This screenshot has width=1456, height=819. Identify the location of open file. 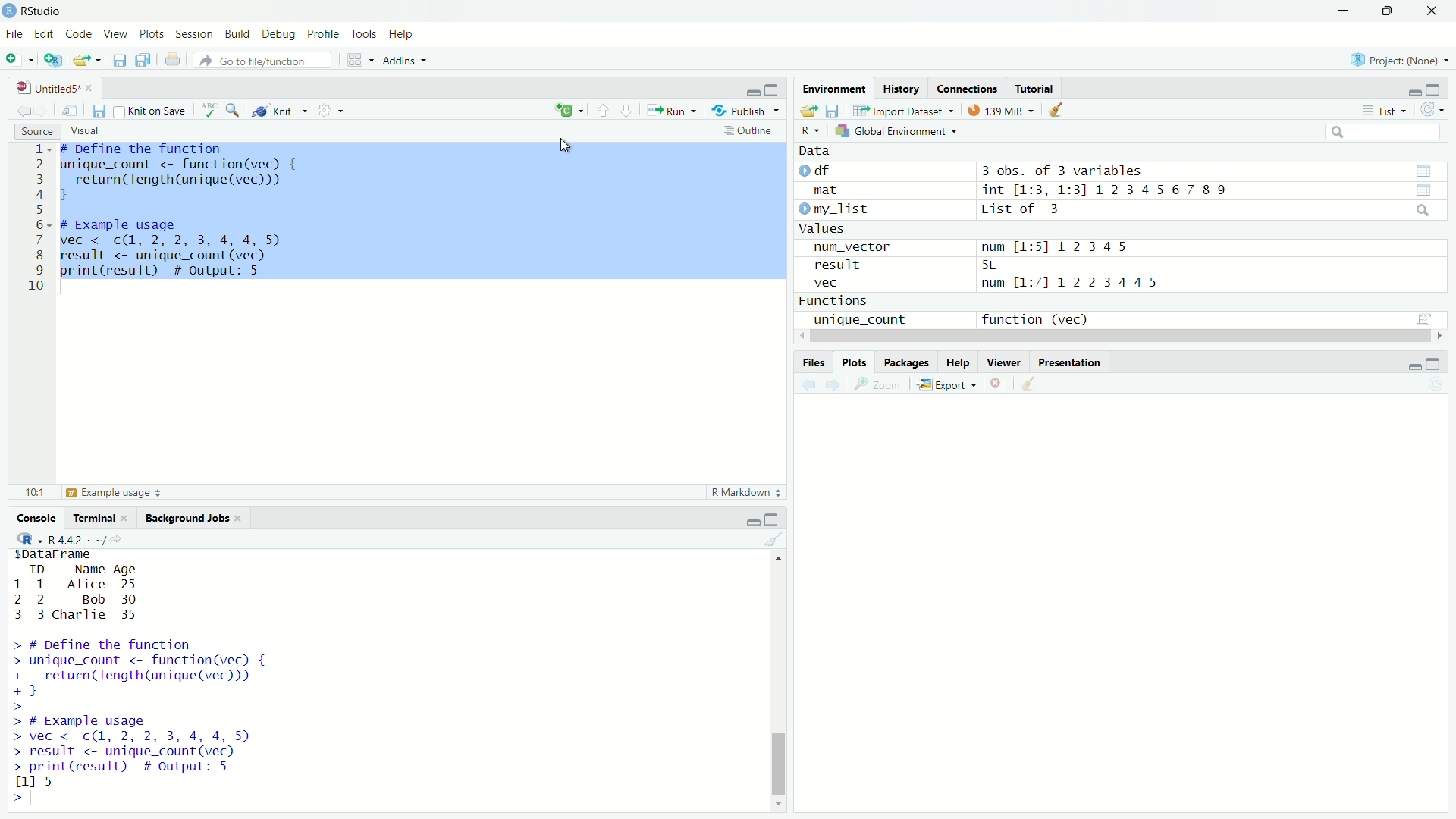
(83, 61).